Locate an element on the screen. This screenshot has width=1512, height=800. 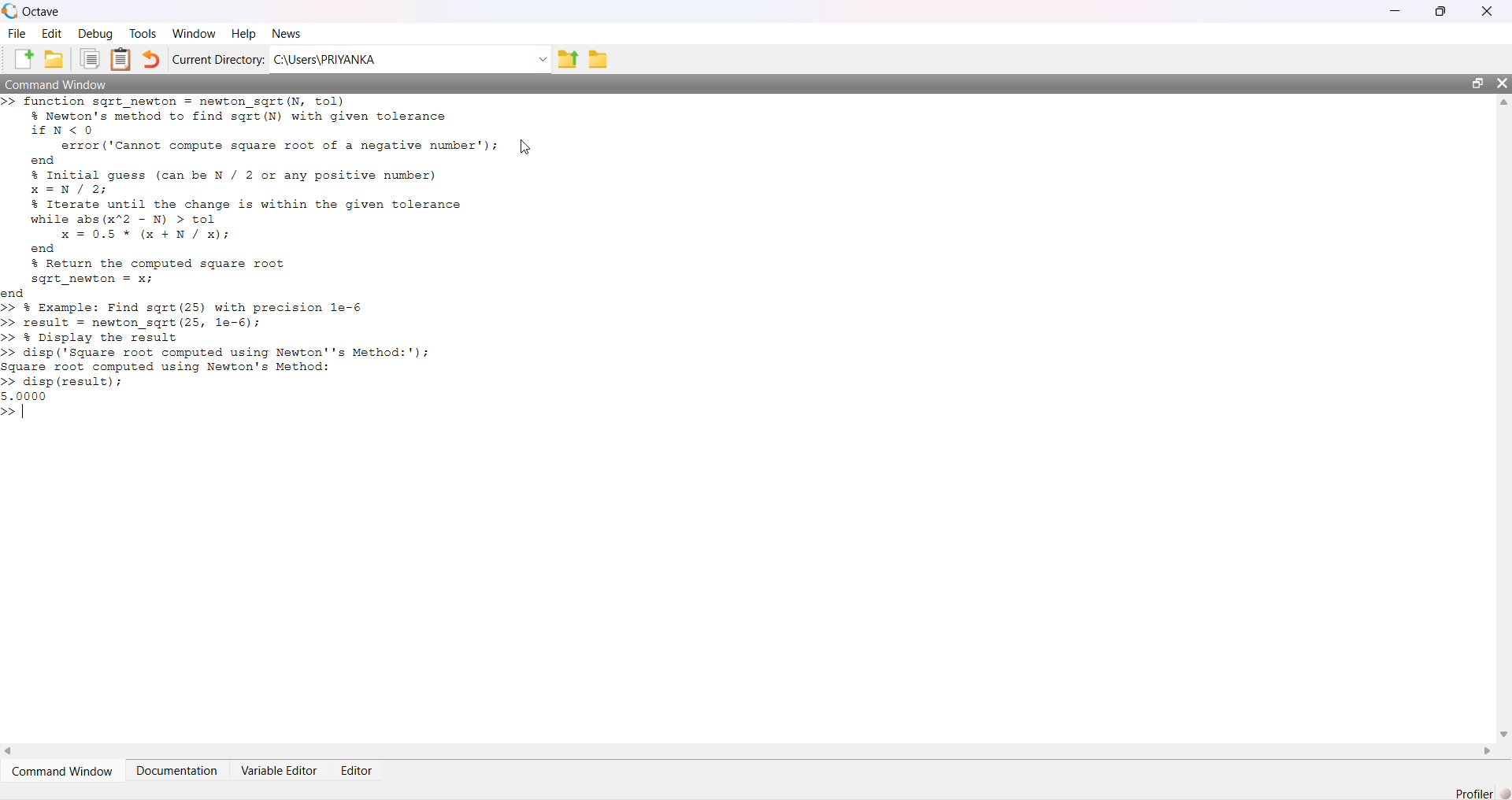
New script is located at coordinates (24, 59).